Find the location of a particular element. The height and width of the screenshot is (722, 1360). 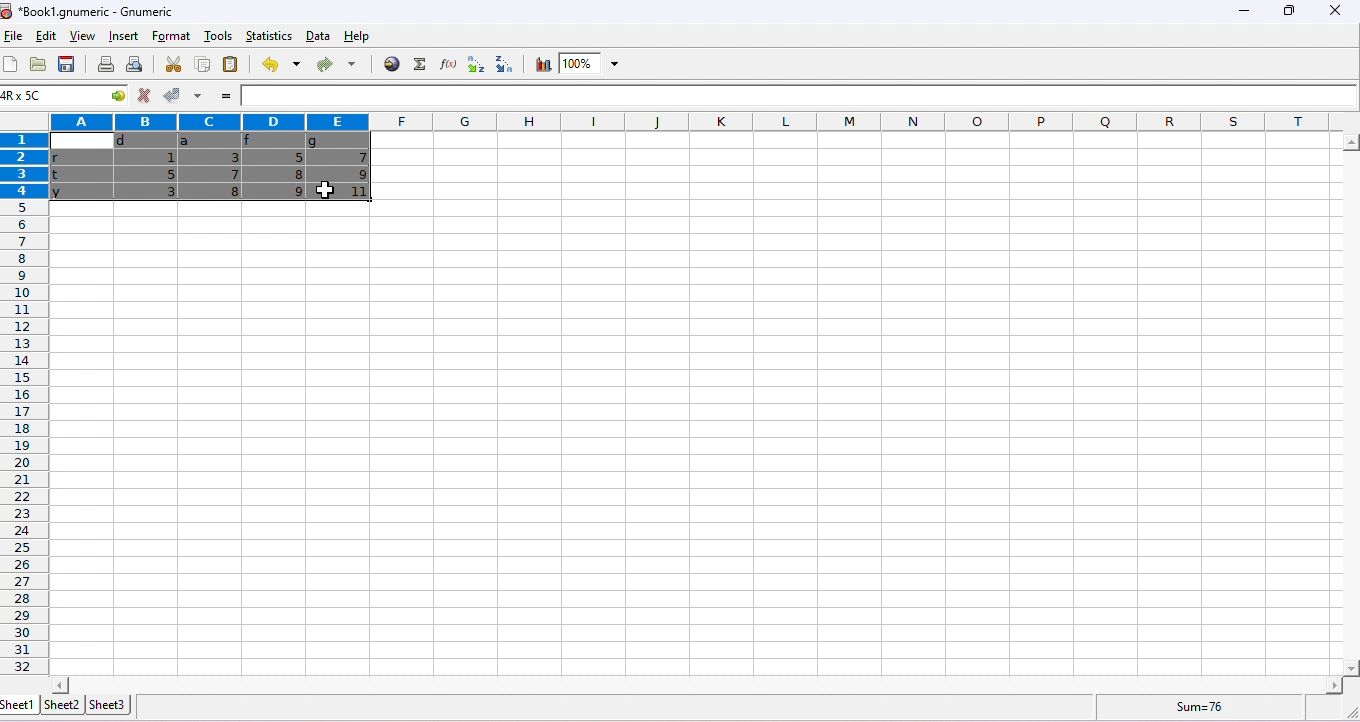

new is located at coordinates (12, 65).